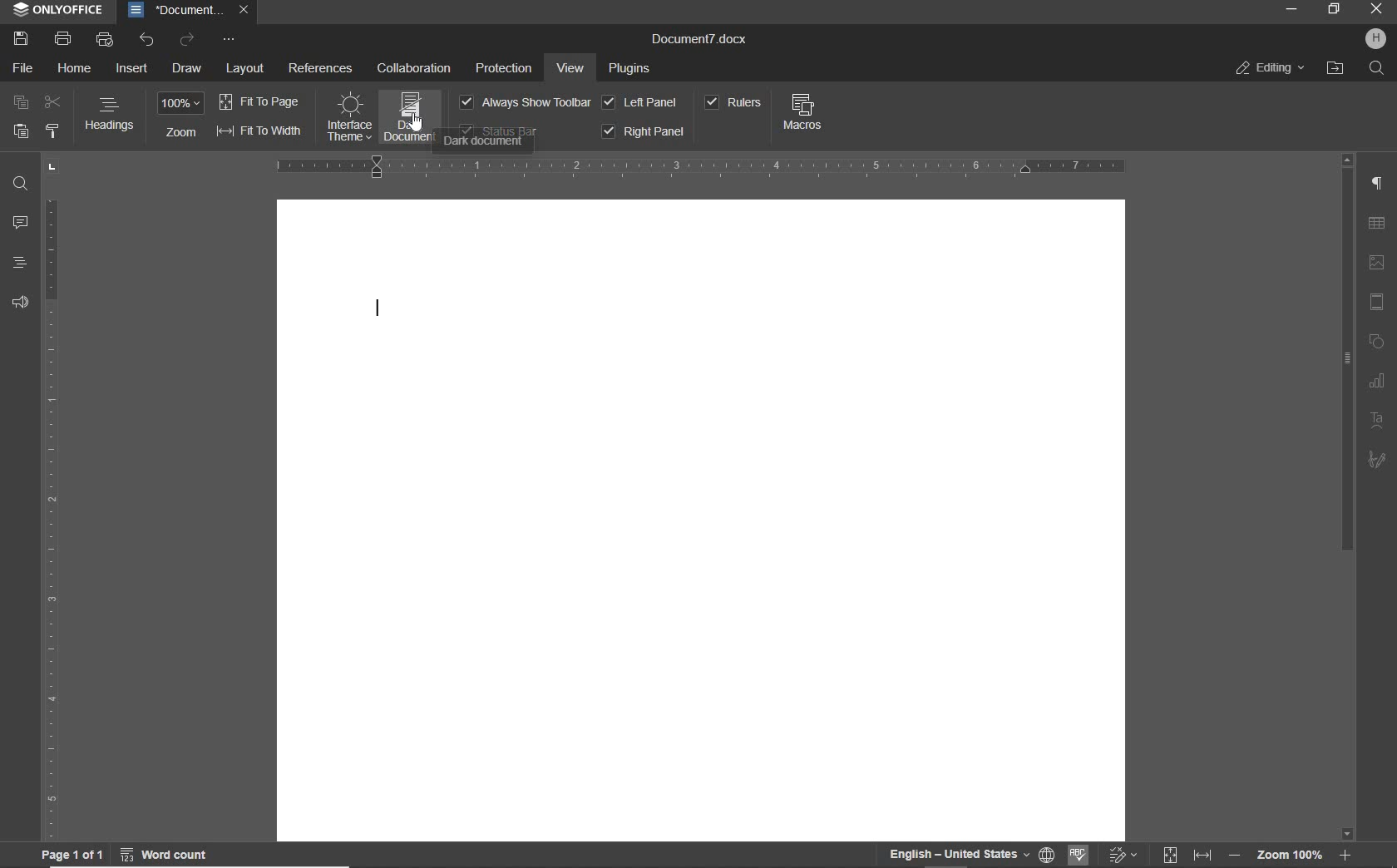 Image resolution: width=1397 pixels, height=868 pixels. I want to click on graph, so click(1378, 382).